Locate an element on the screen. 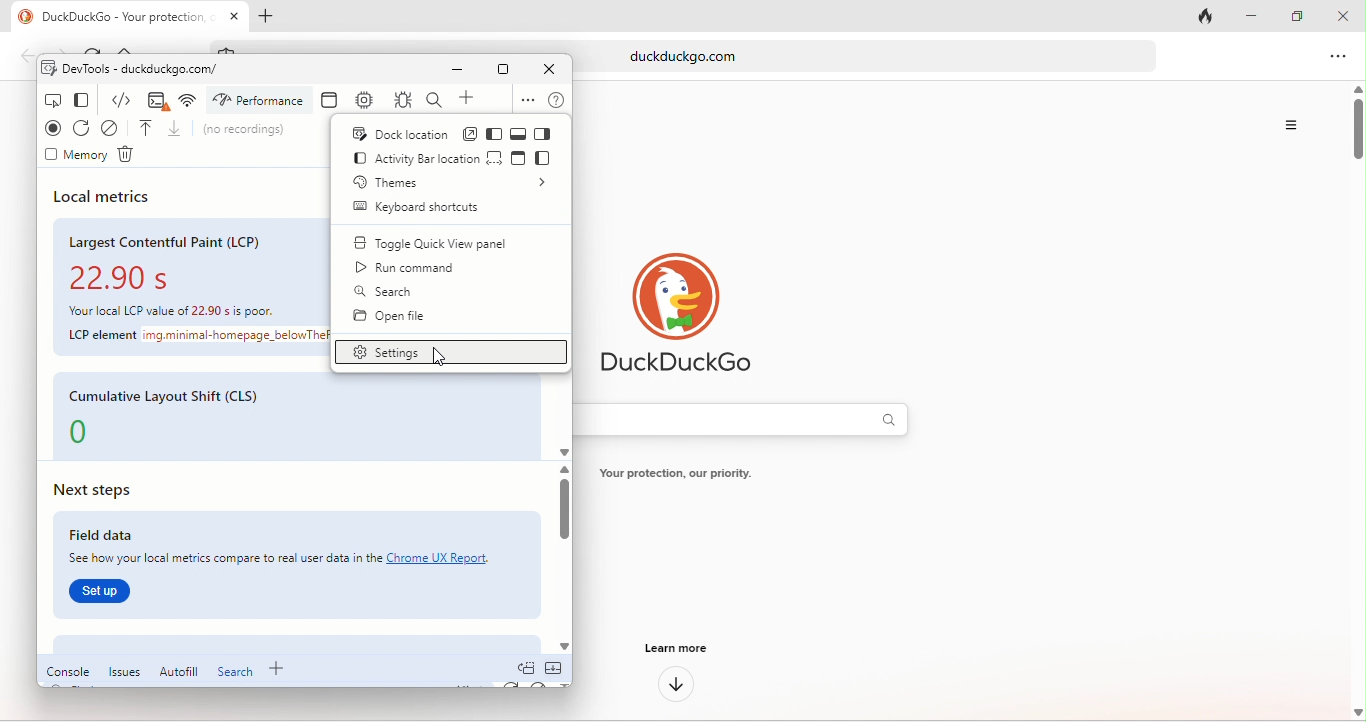  autofill is located at coordinates (176, 667).